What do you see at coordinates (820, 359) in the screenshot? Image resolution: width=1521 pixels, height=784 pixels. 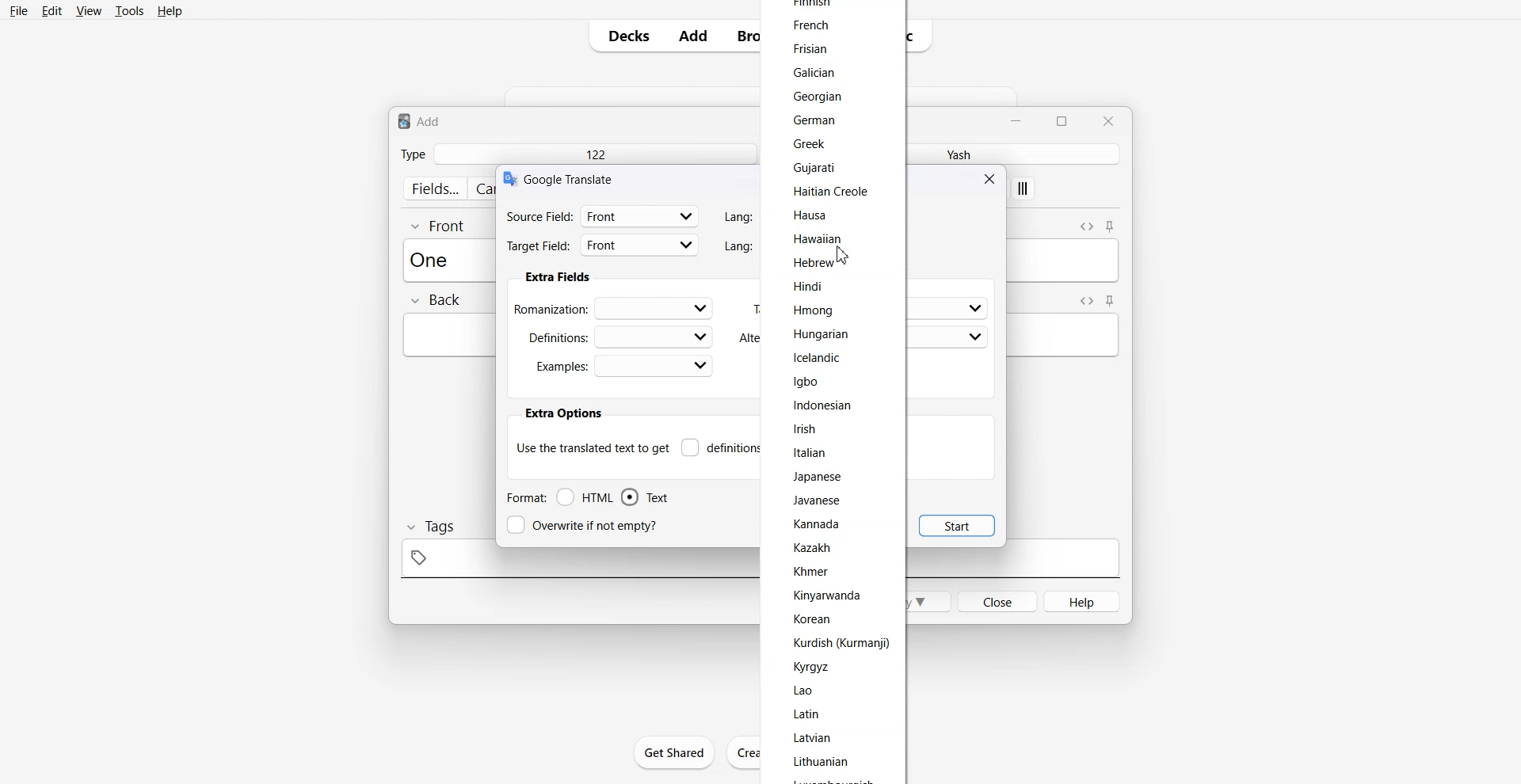 I see `Icelandic` at bounding box center [820, 359].